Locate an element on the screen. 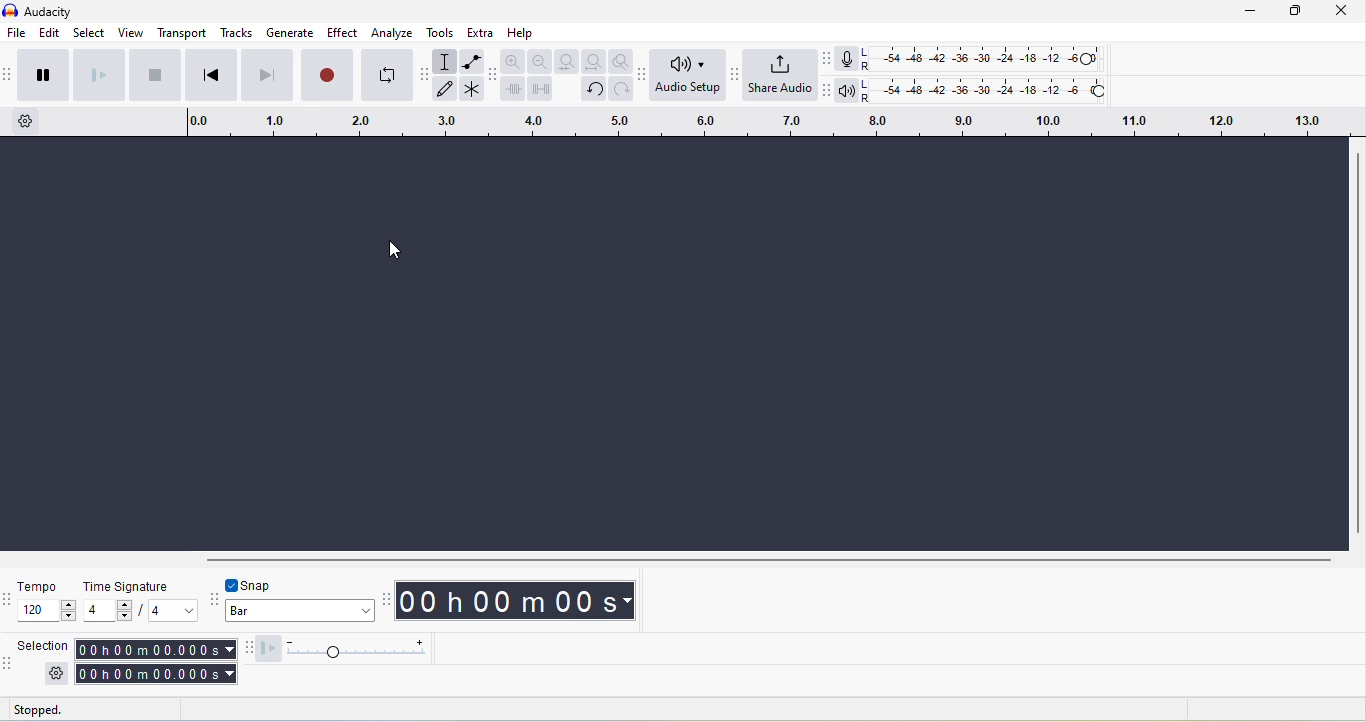  audacity time signature toolbar is located at coordinates (9, 604).